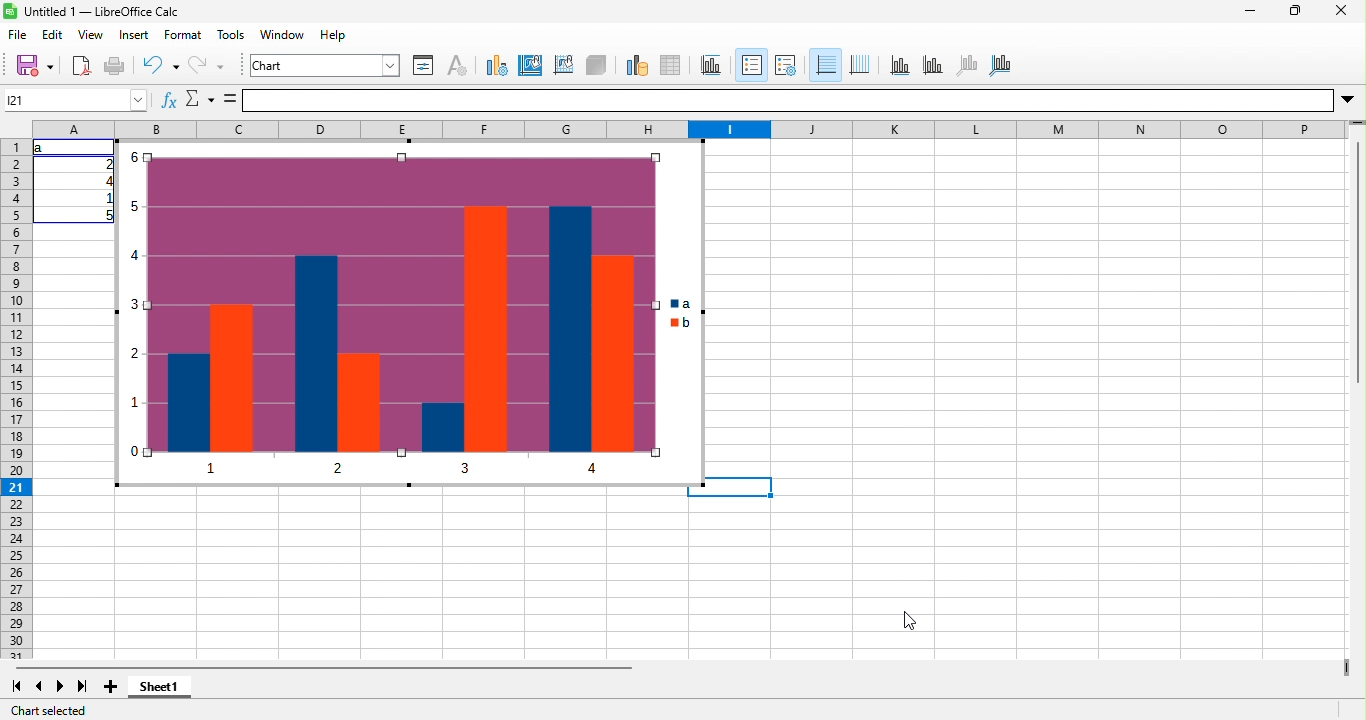 This screenshot has width=1366, height=720. What do you see at coordinates (206, 66) in the screenshot?
I see `redo` at bounding box center [206, 66].